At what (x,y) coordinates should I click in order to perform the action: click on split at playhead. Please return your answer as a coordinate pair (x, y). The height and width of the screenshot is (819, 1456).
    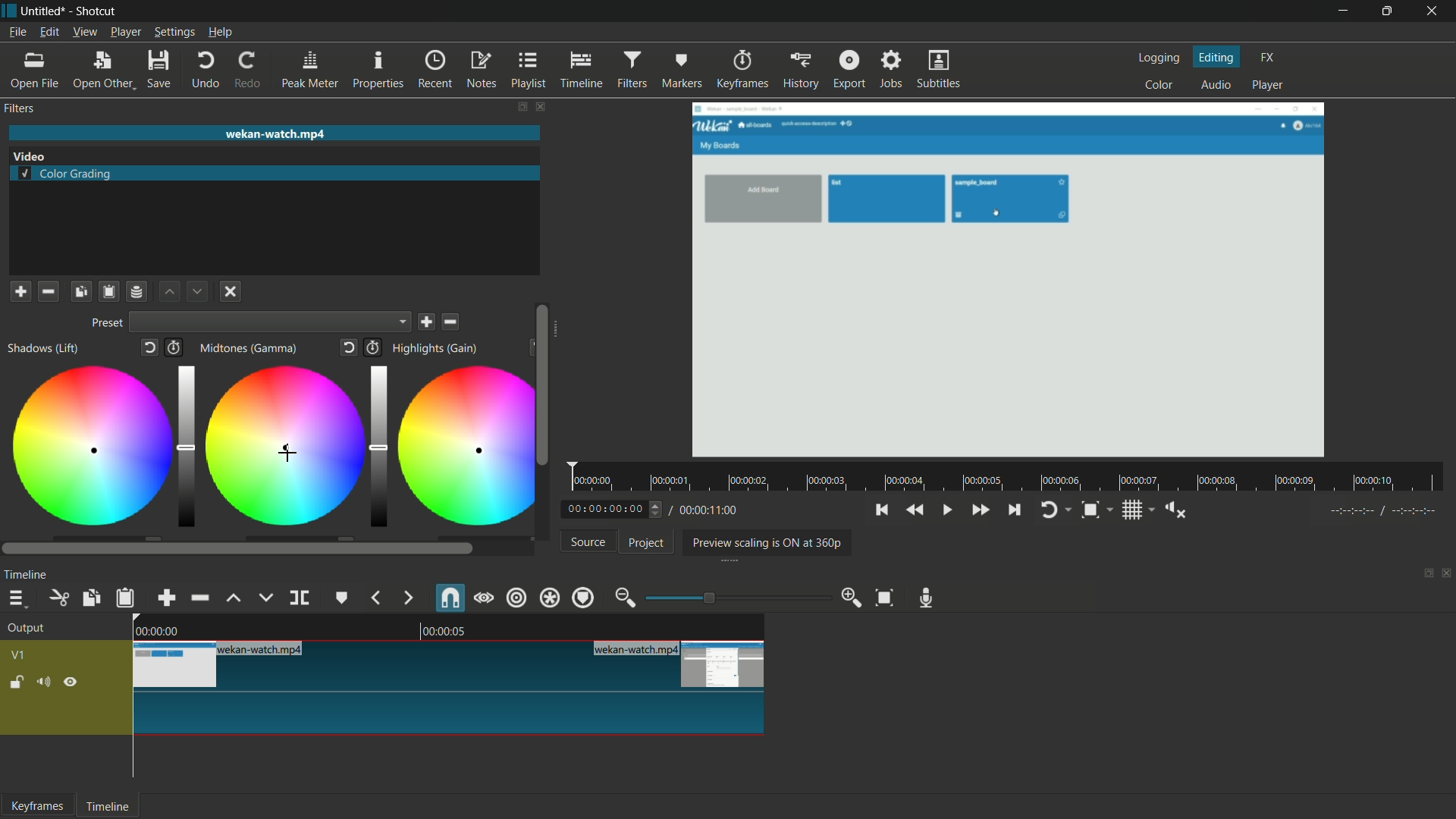
    Looking at the image, I should click on (300, 598).